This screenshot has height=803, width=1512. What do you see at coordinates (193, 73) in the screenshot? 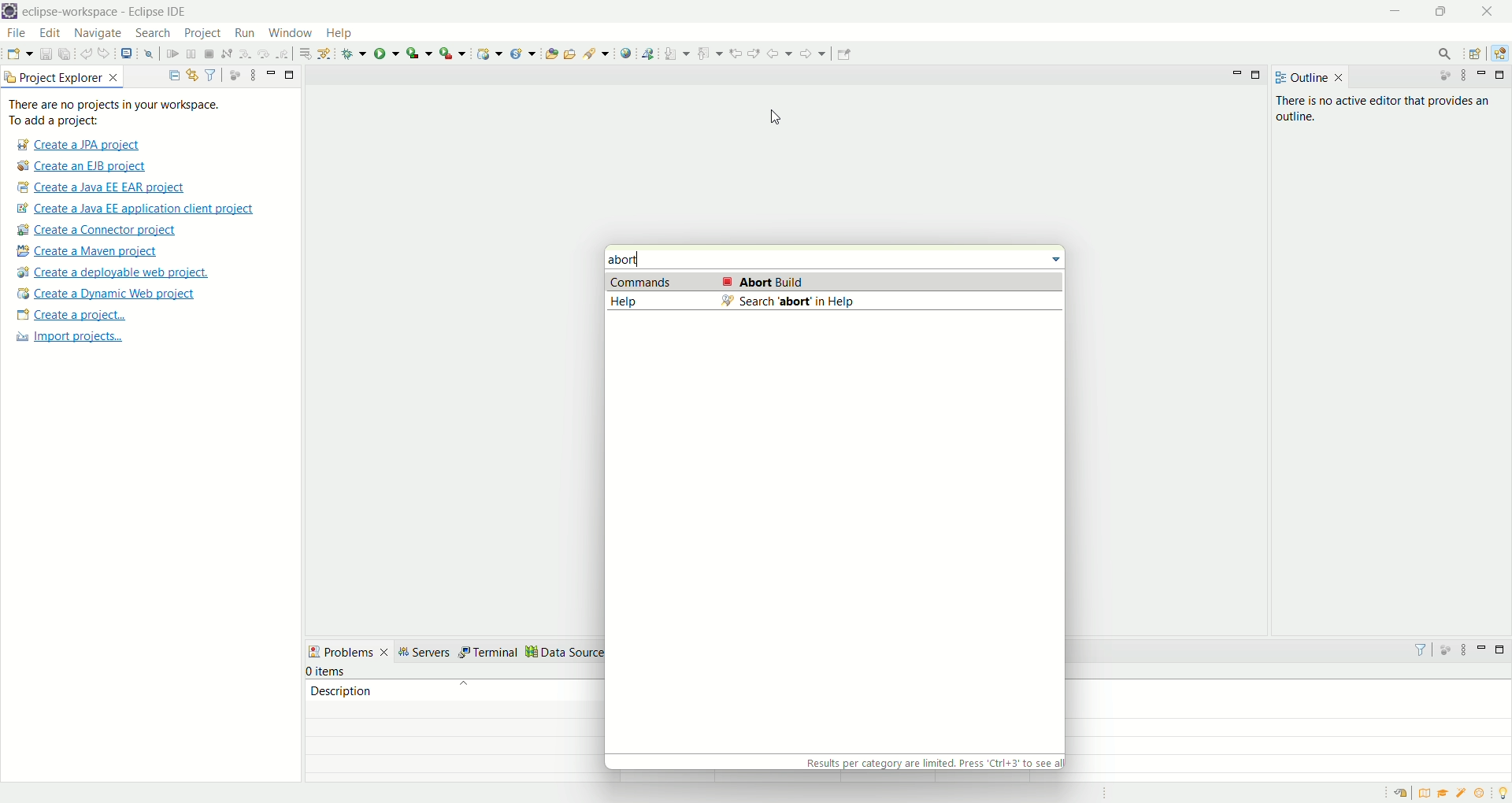
I see `link with editor` at bounding box center [193, 73].